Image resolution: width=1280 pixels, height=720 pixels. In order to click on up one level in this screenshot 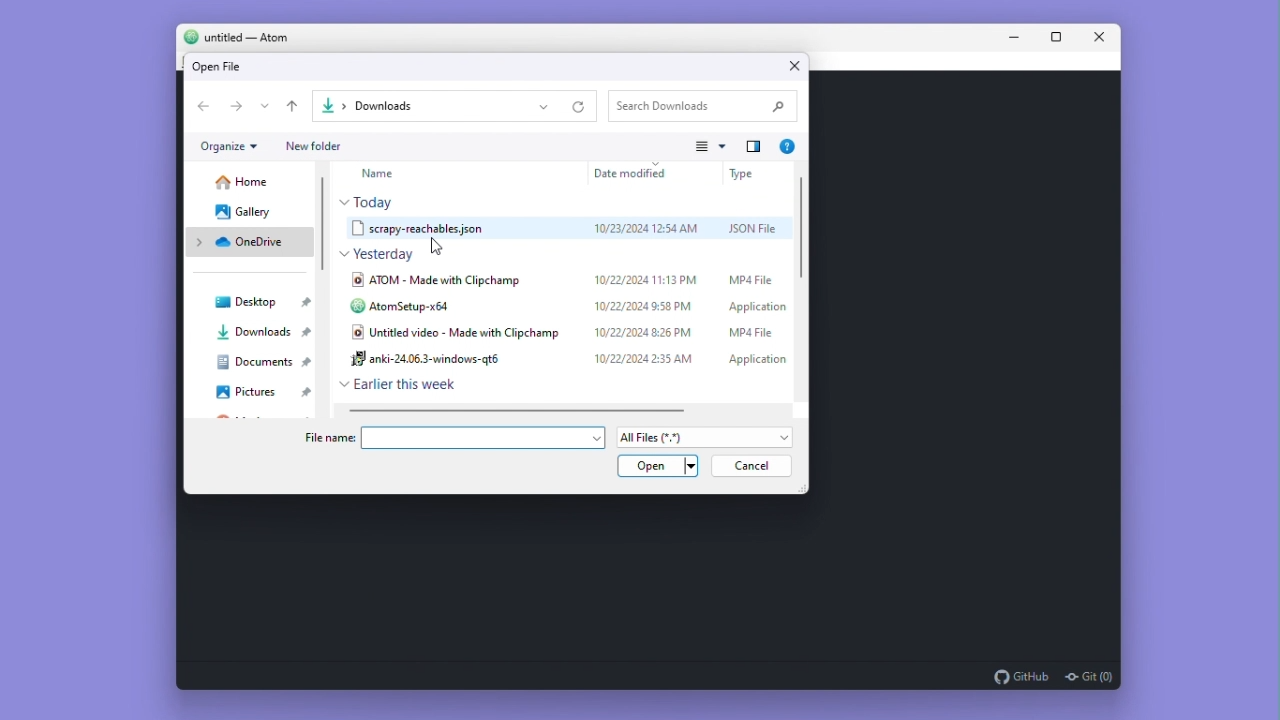, I will do `click(294, 105)`.